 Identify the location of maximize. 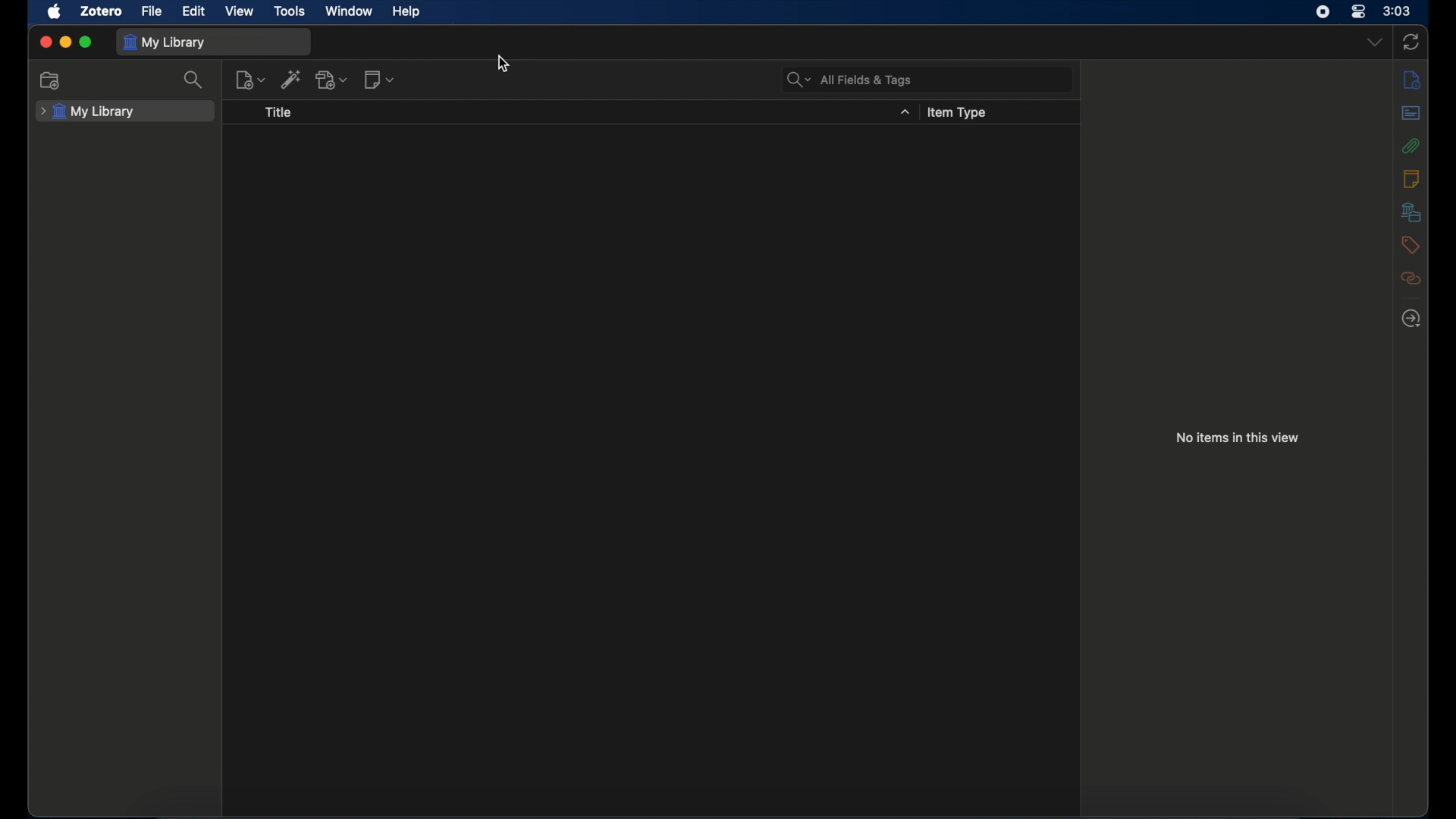
(86, 42).